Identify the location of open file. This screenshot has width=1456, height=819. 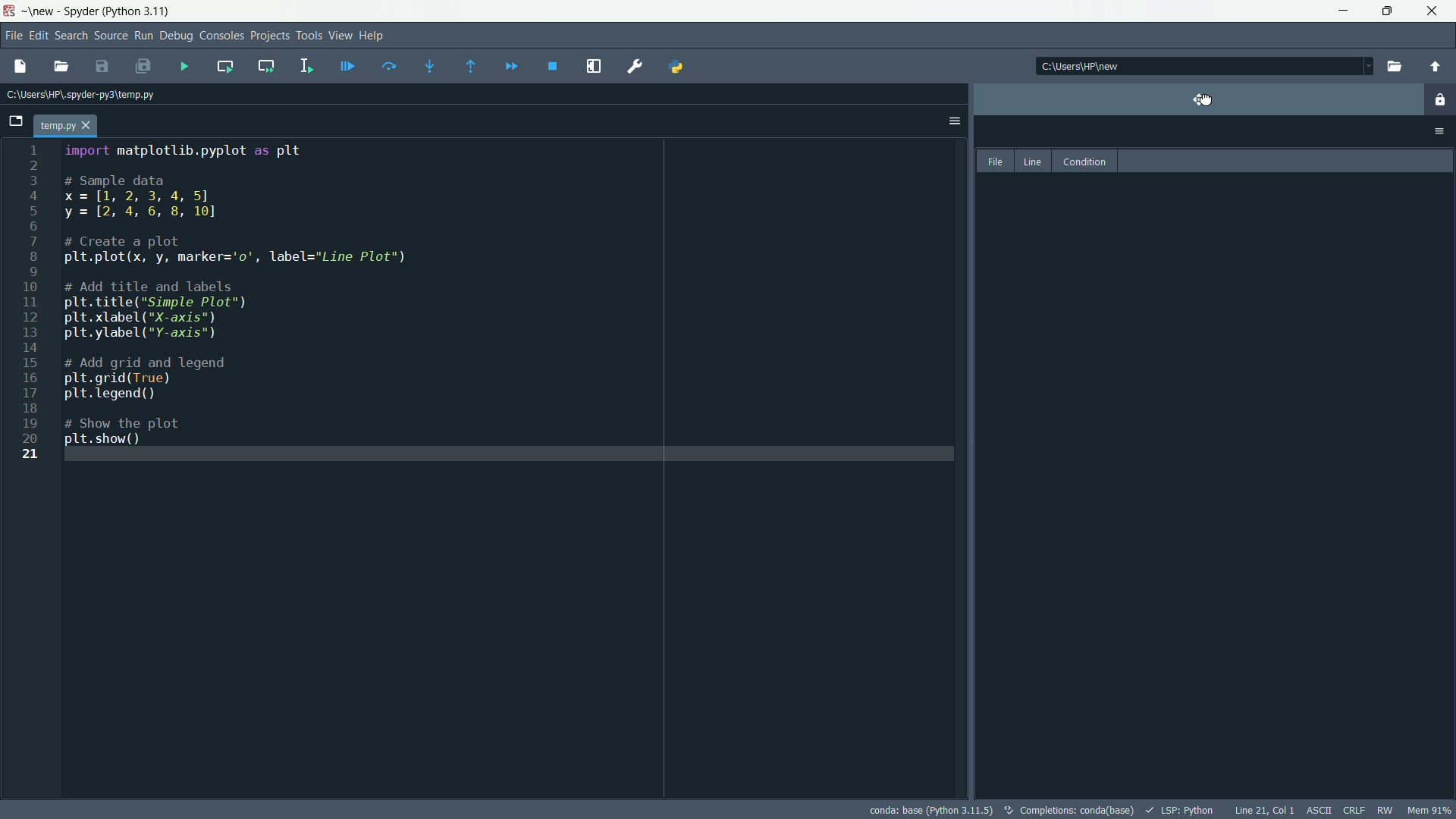
(61, 66).